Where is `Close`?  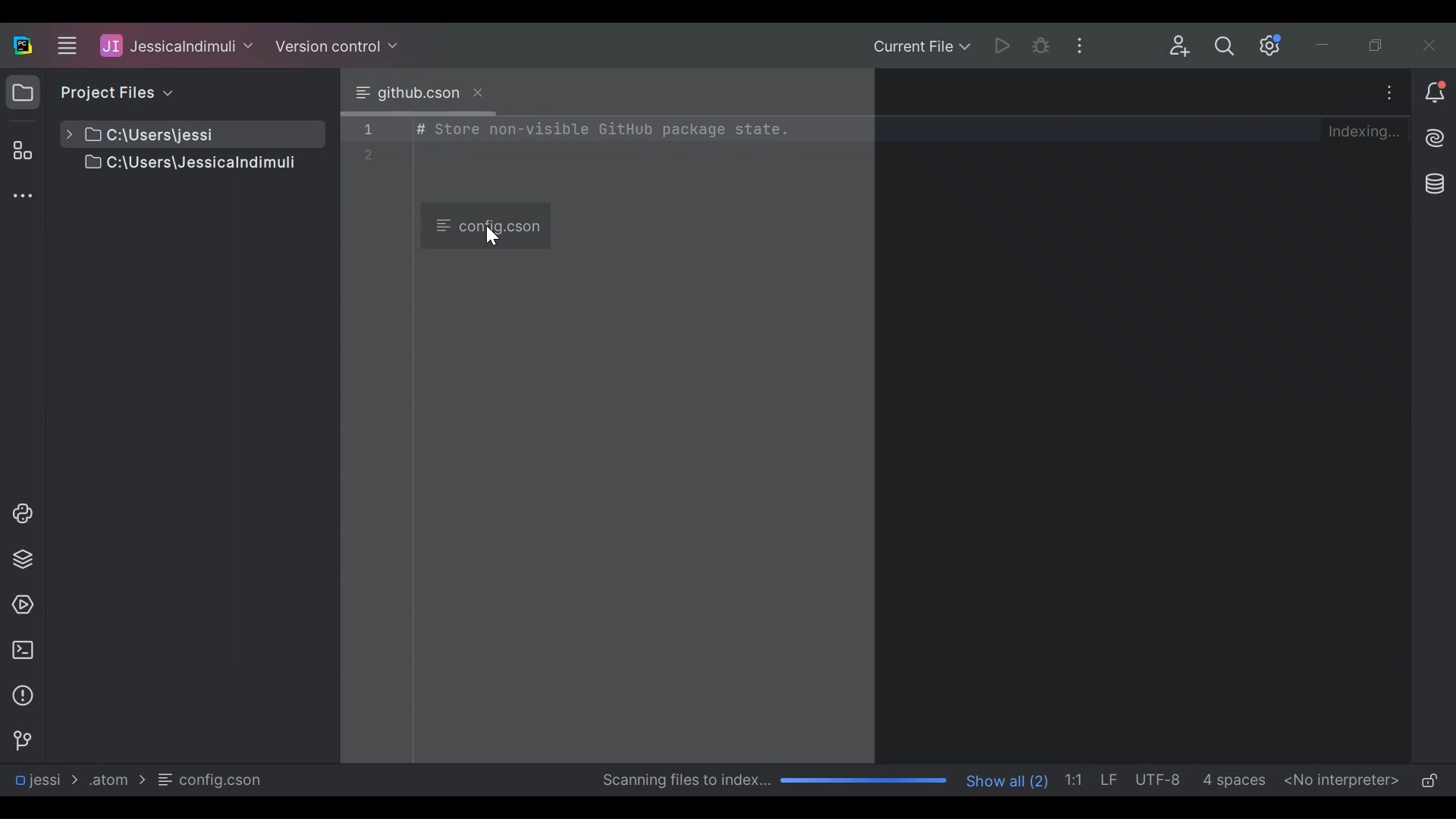 Close is located at coordinates (1432, 45).